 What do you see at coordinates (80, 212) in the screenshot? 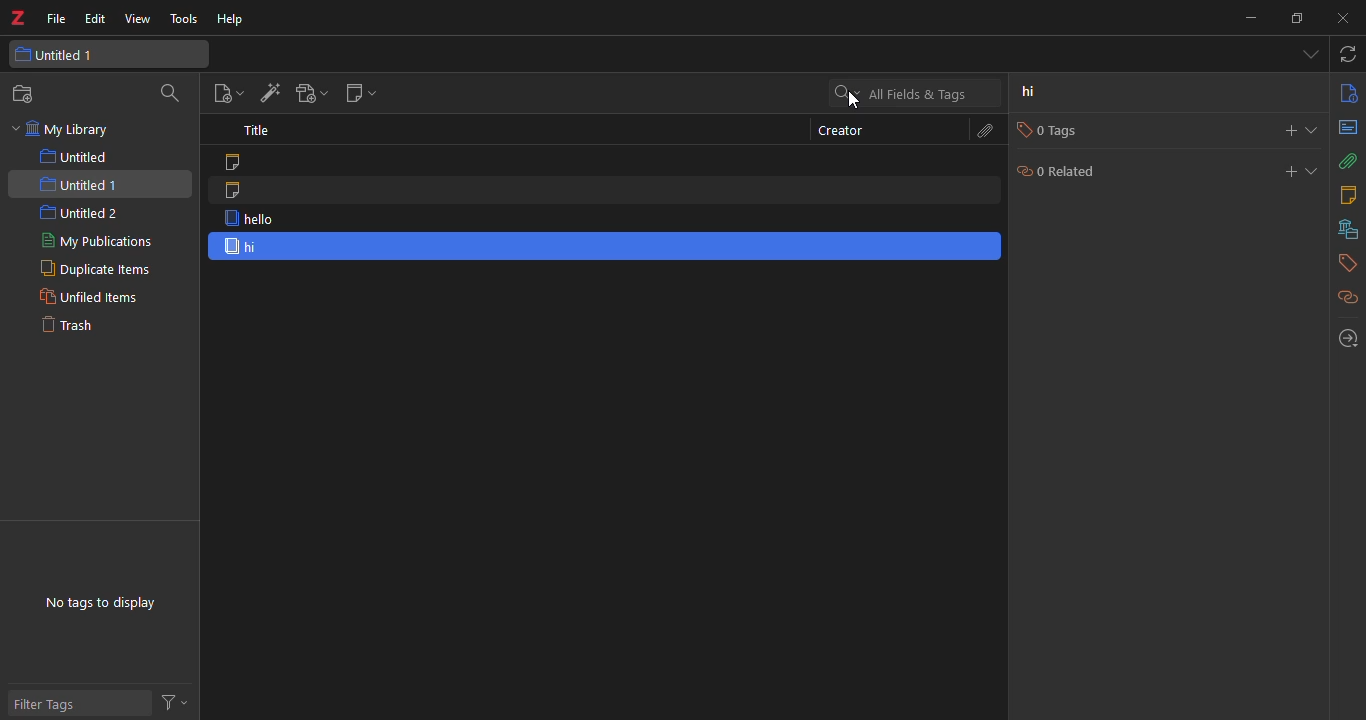
I see `untitled 2` at bounding box center [80, 212].